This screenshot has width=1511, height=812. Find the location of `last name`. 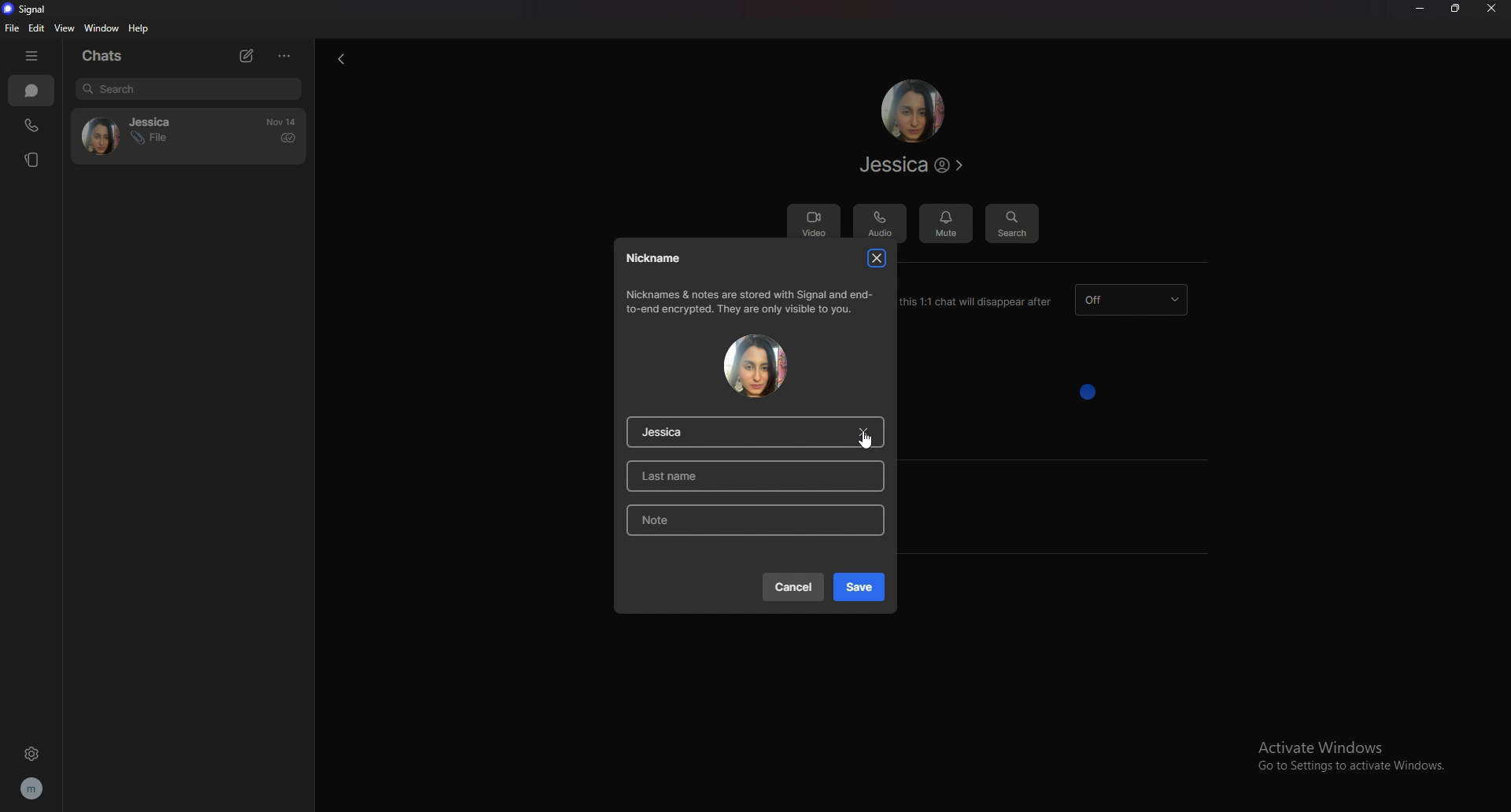

last name is located at coordinates (760, 475).